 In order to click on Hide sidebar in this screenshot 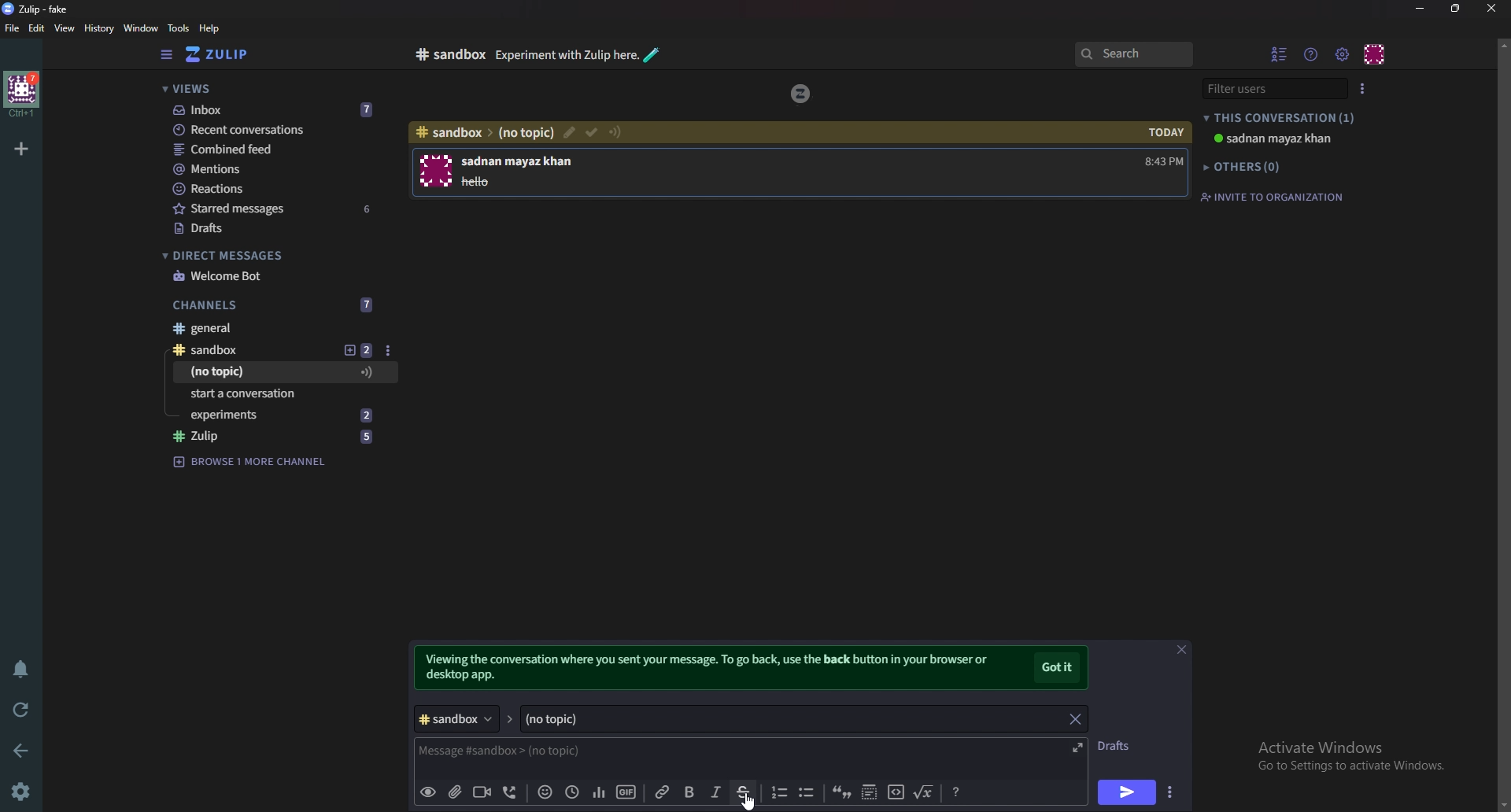, I will do `click(169, 54)`.